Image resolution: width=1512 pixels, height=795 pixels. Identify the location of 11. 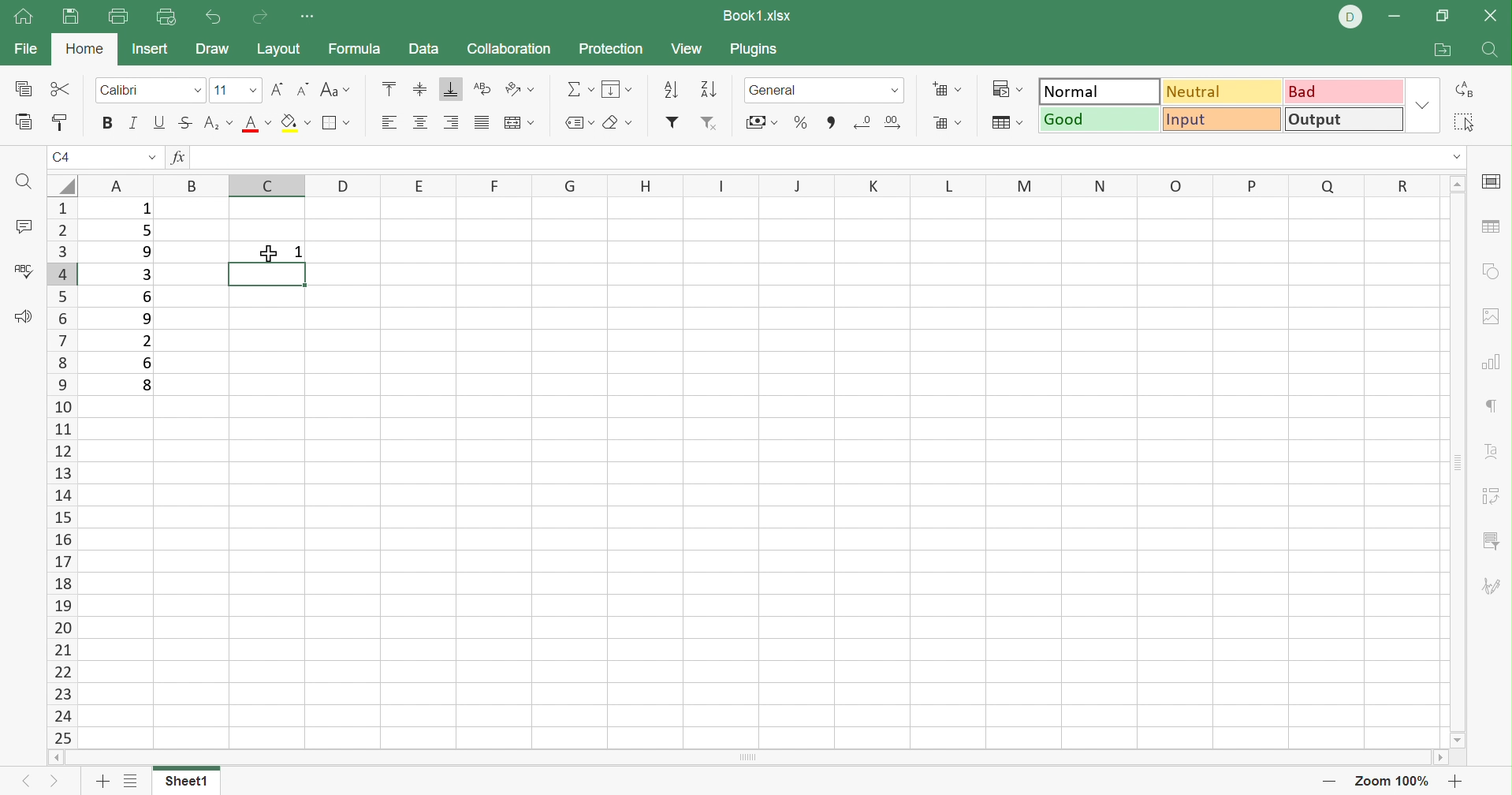
(222, 91).